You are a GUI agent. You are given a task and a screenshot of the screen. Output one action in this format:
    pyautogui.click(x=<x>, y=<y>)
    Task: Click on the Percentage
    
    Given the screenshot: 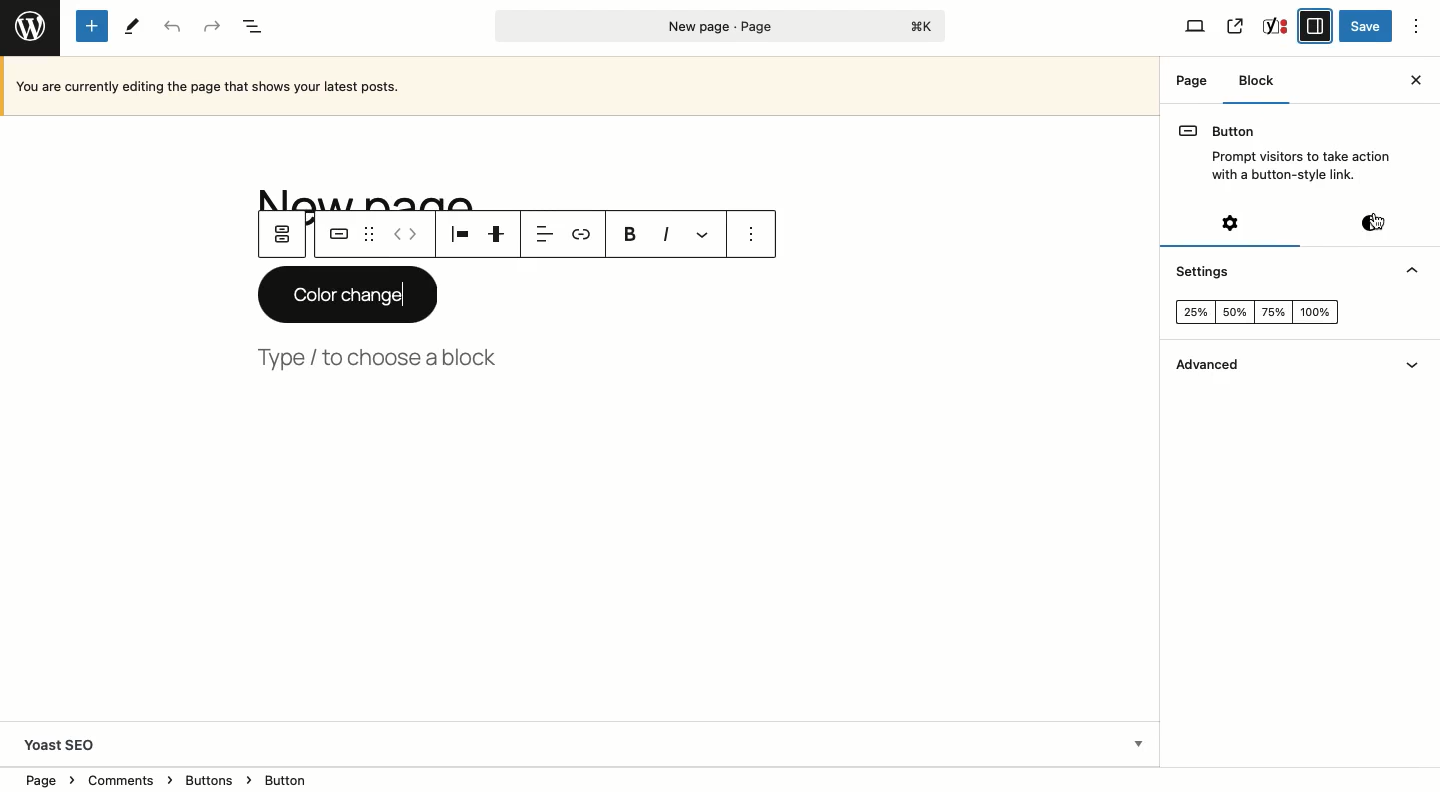 What is the action you would take?
    pyautogui.click(x=1254, y=313)
    